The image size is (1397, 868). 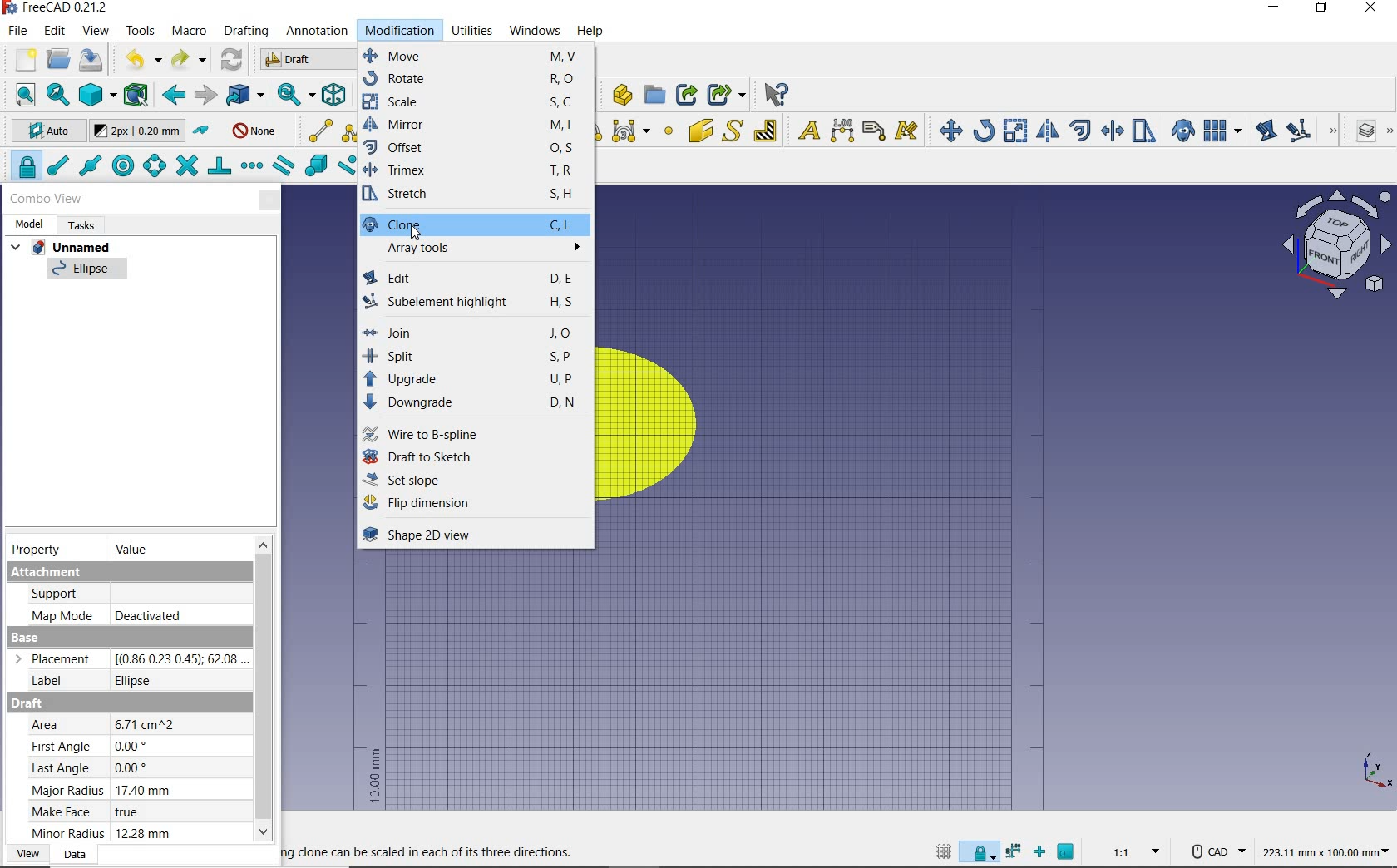 I want to click on current working plane: auto, so click(x=42, y=132).